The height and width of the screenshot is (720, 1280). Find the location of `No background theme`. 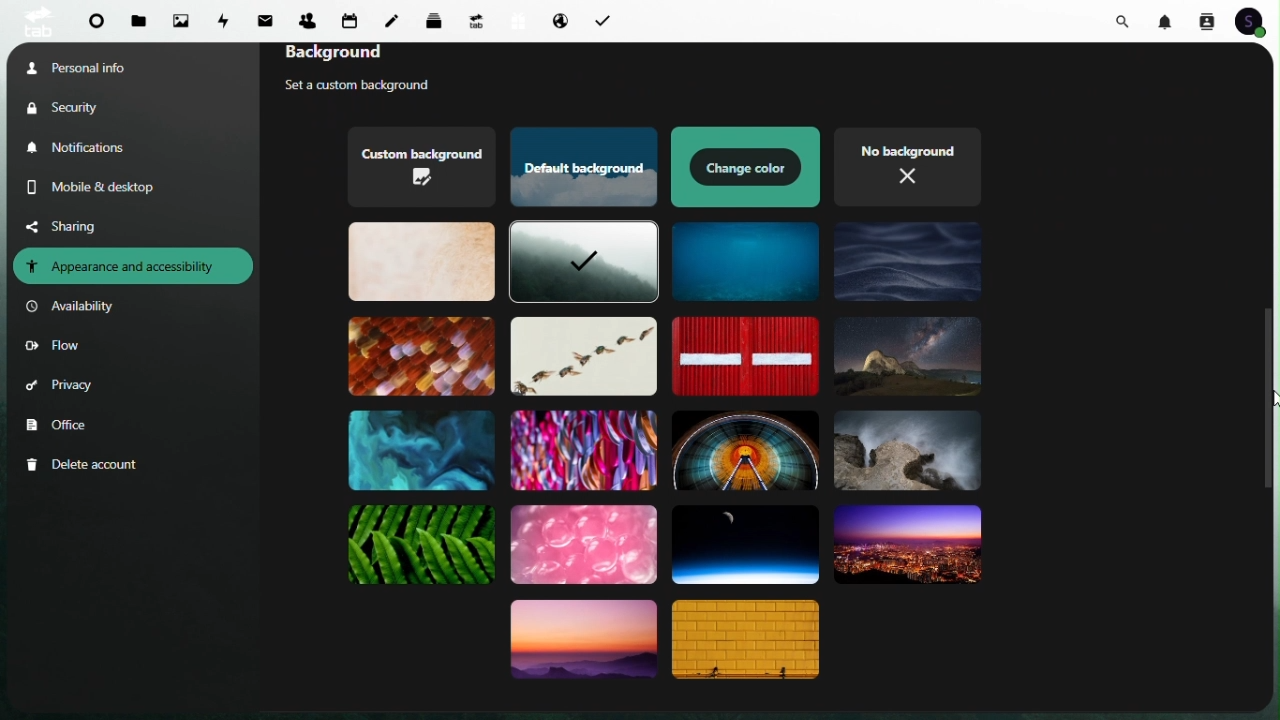

No background theme is located at coordinates (907, 165).